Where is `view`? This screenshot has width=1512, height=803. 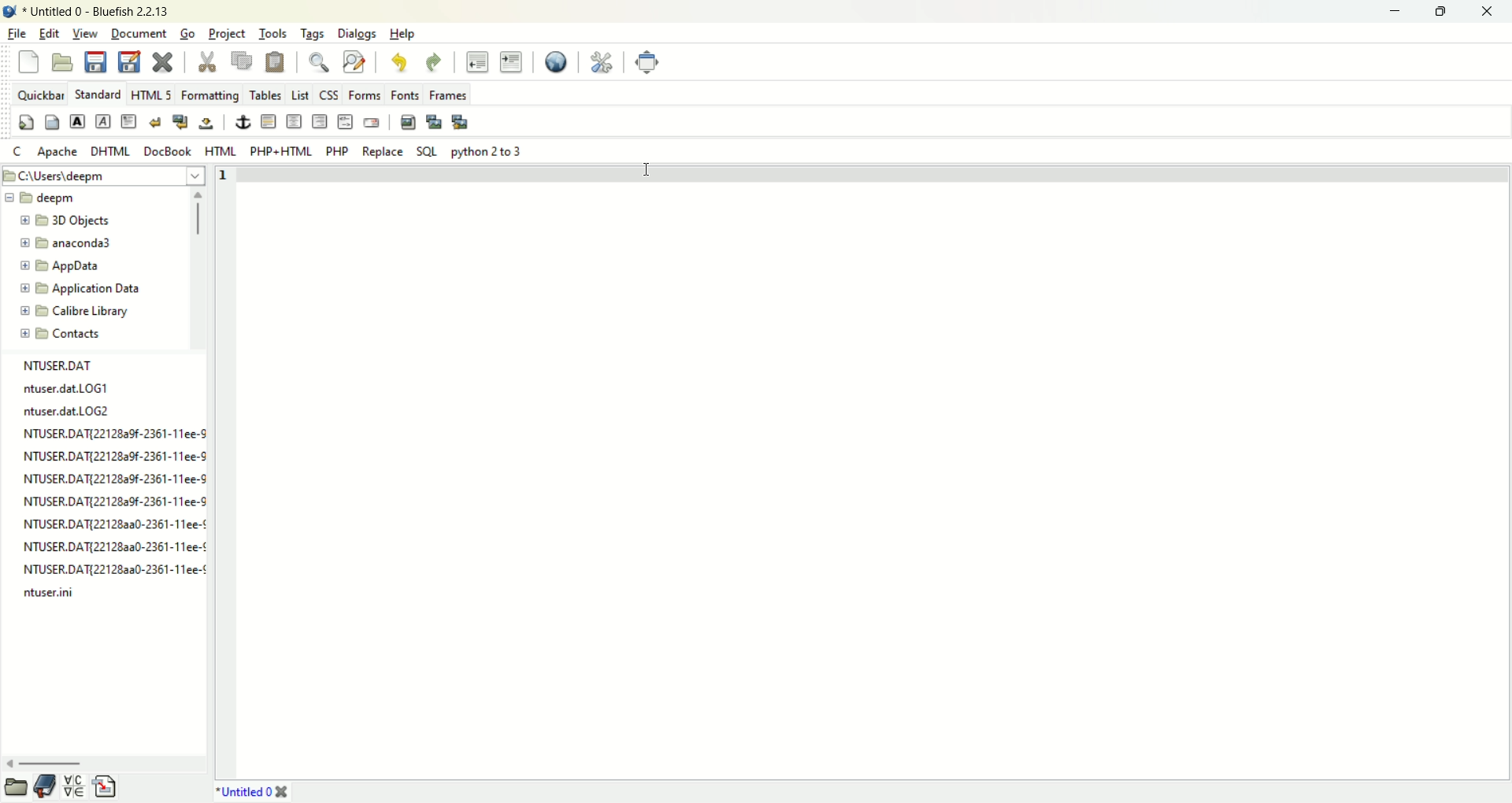
view is located at coordinates (86, 34).